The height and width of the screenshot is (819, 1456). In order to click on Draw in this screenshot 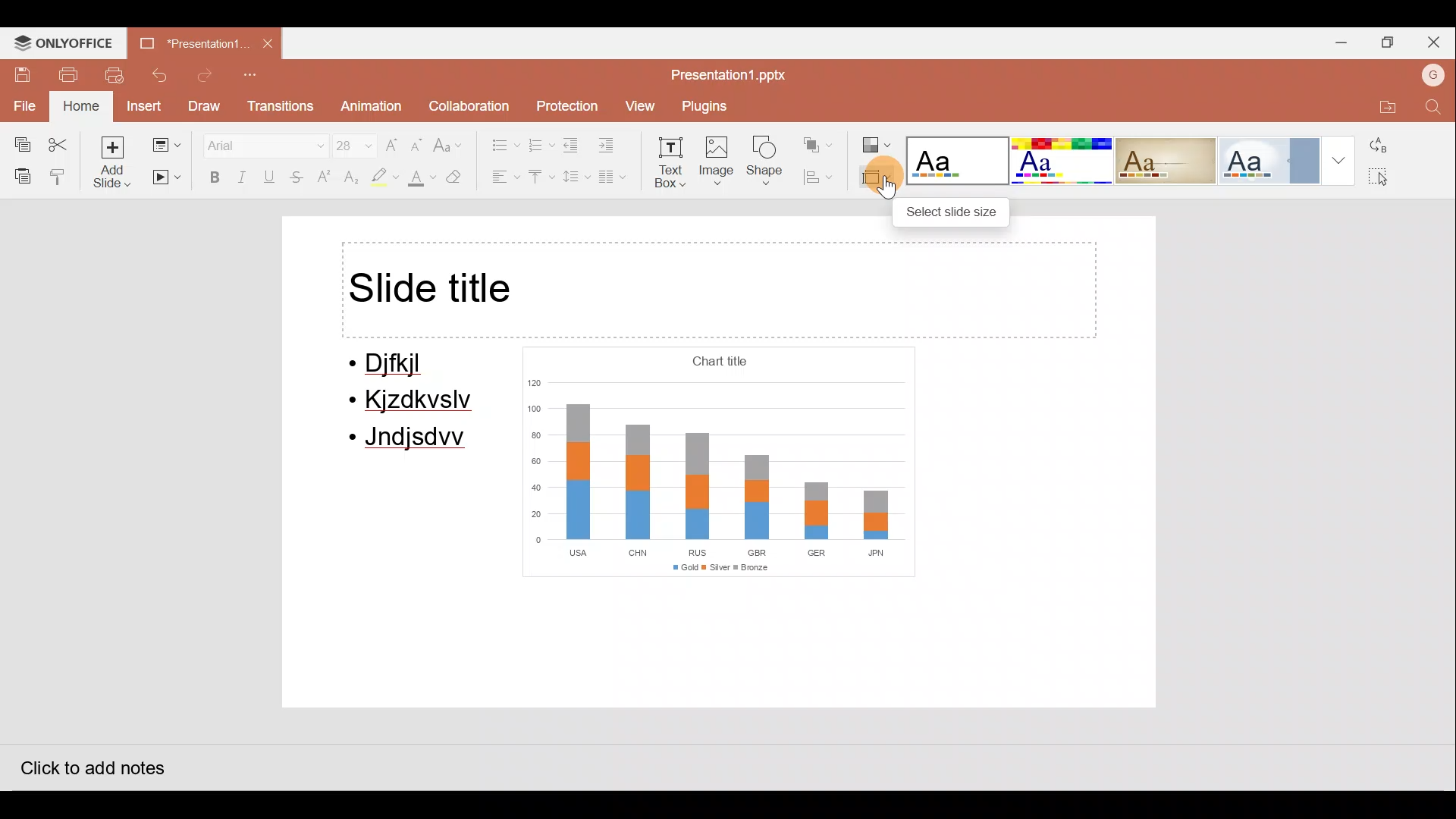, I will do `click(206, 106)`.